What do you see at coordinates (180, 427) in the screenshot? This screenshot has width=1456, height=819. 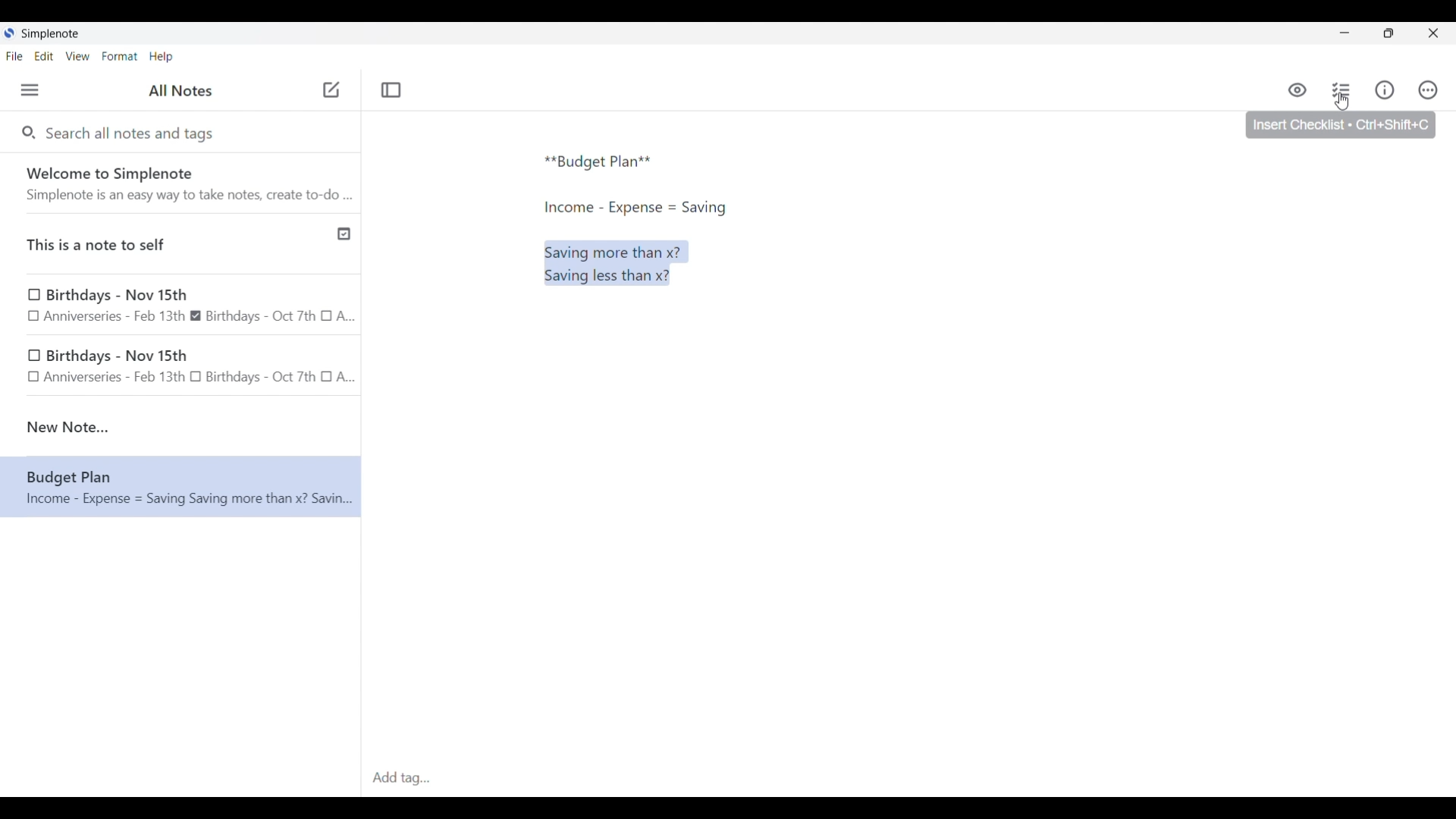 I see `new note` at bounding box center [180, 427].